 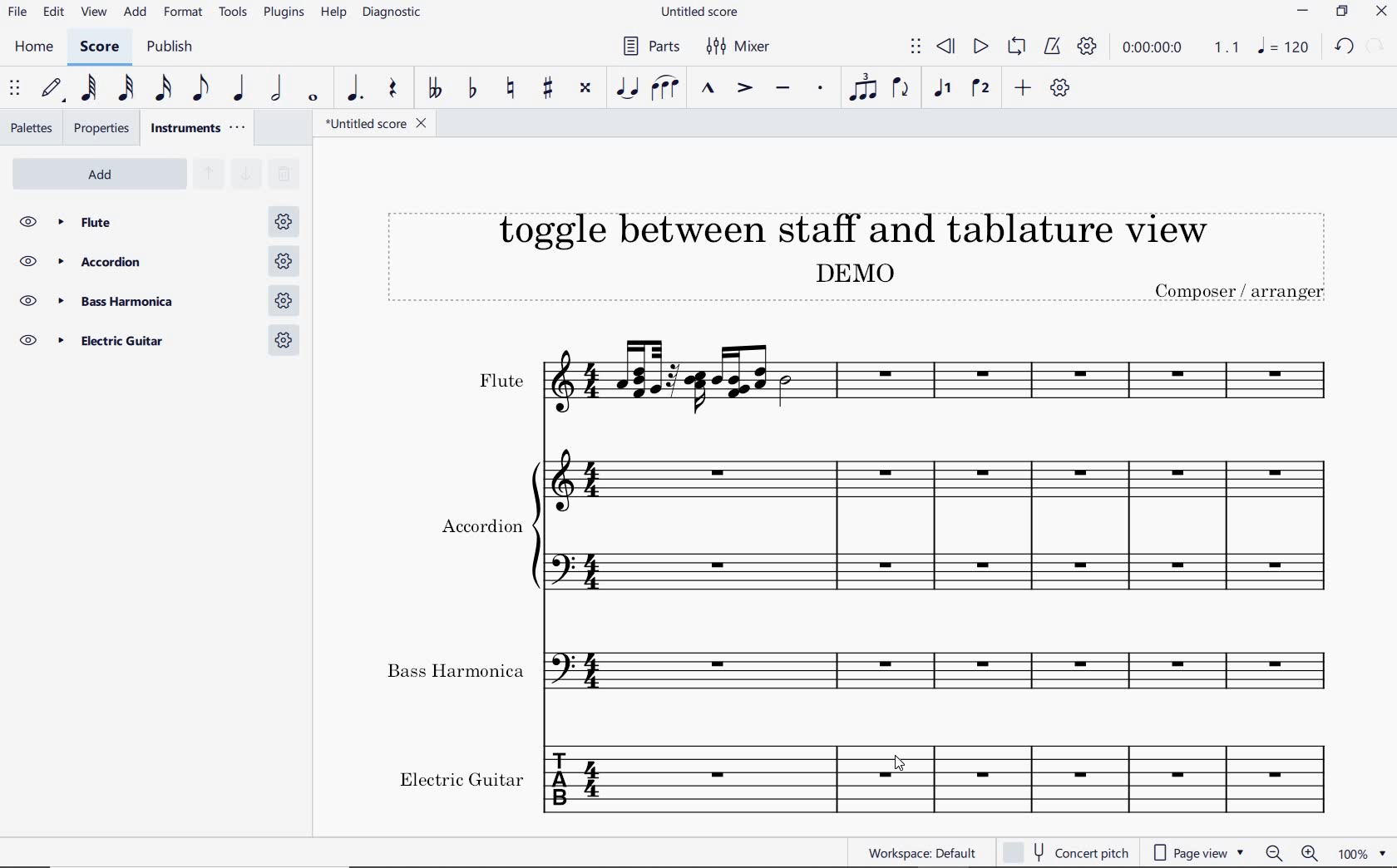 I want to click on marcato, so click(x=709, y=89).